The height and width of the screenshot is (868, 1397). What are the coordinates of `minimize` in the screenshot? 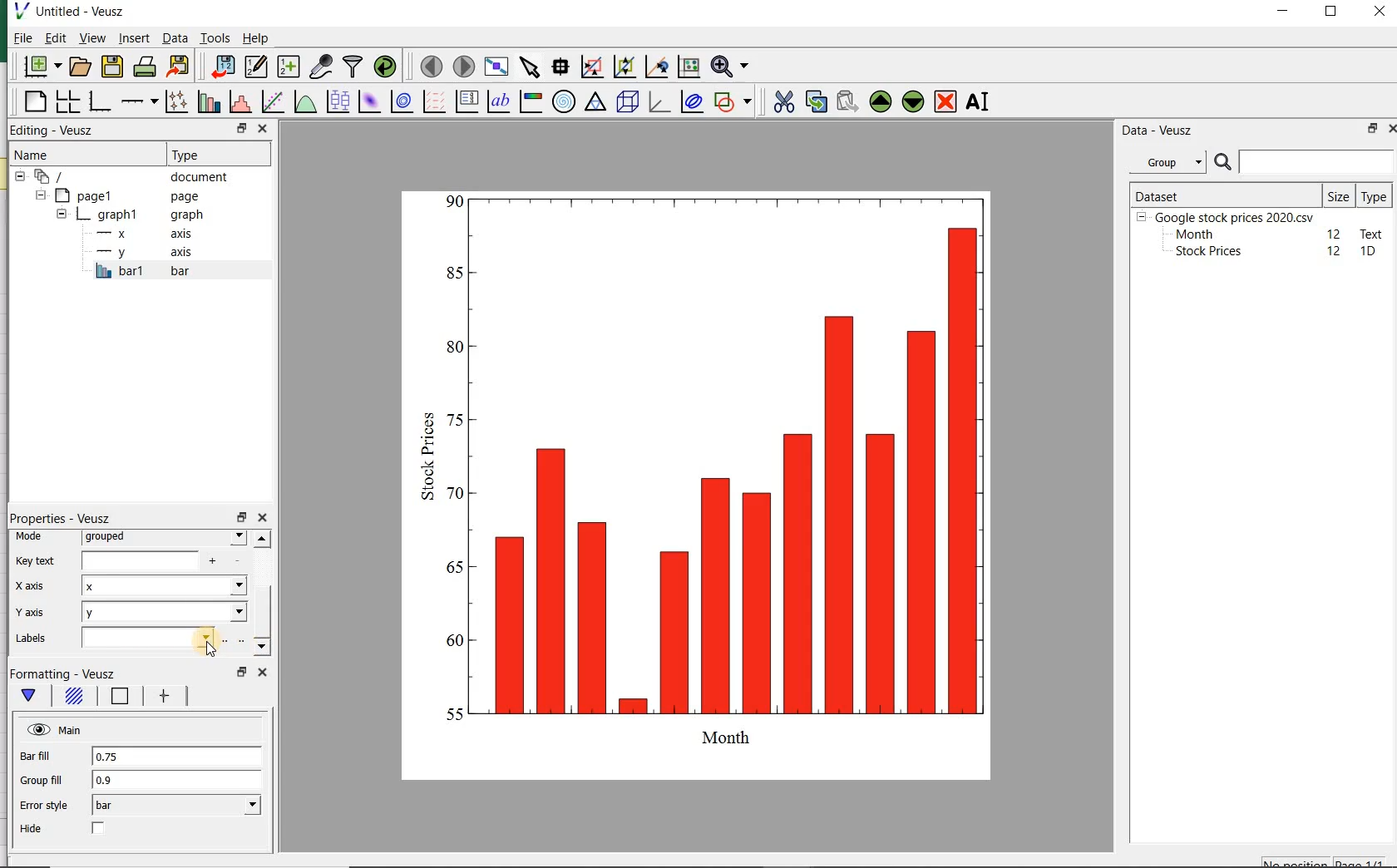 It's located at (1284, 12).